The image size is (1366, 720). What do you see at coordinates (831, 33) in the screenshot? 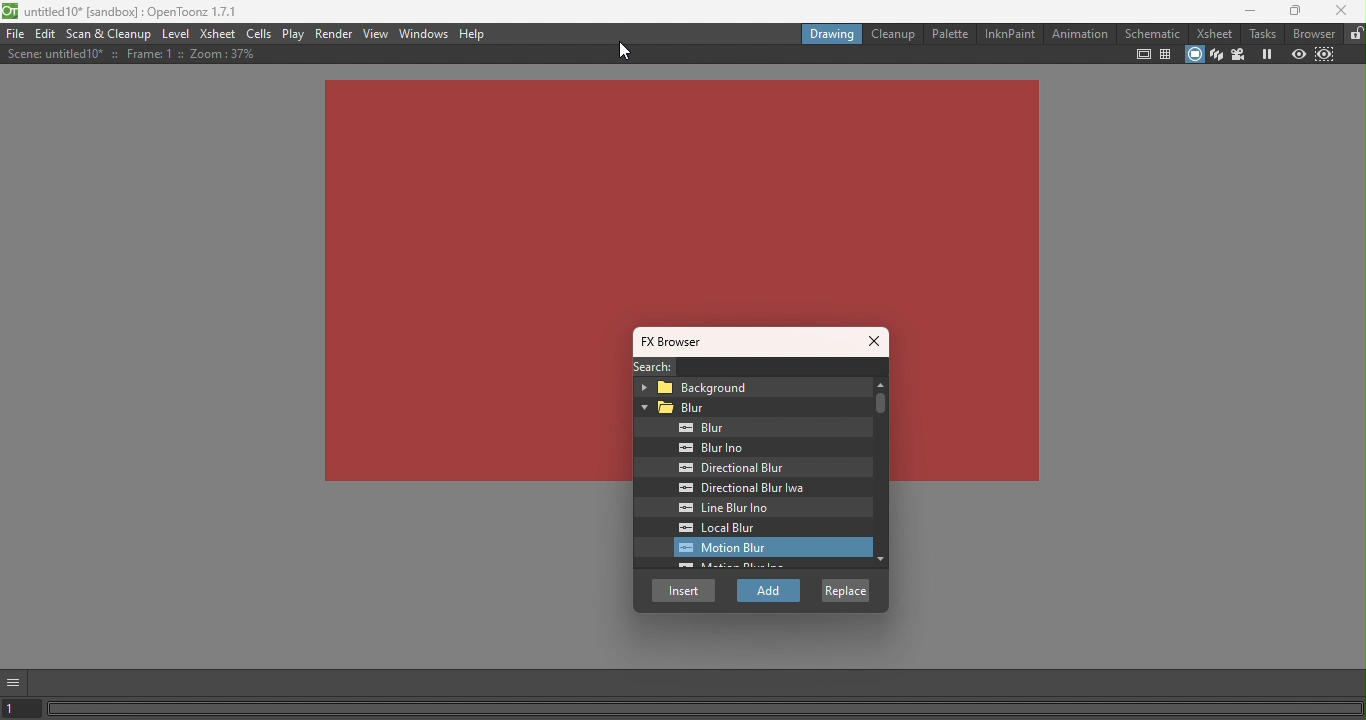
I see `Drawing` at bounding box center [831, 33].